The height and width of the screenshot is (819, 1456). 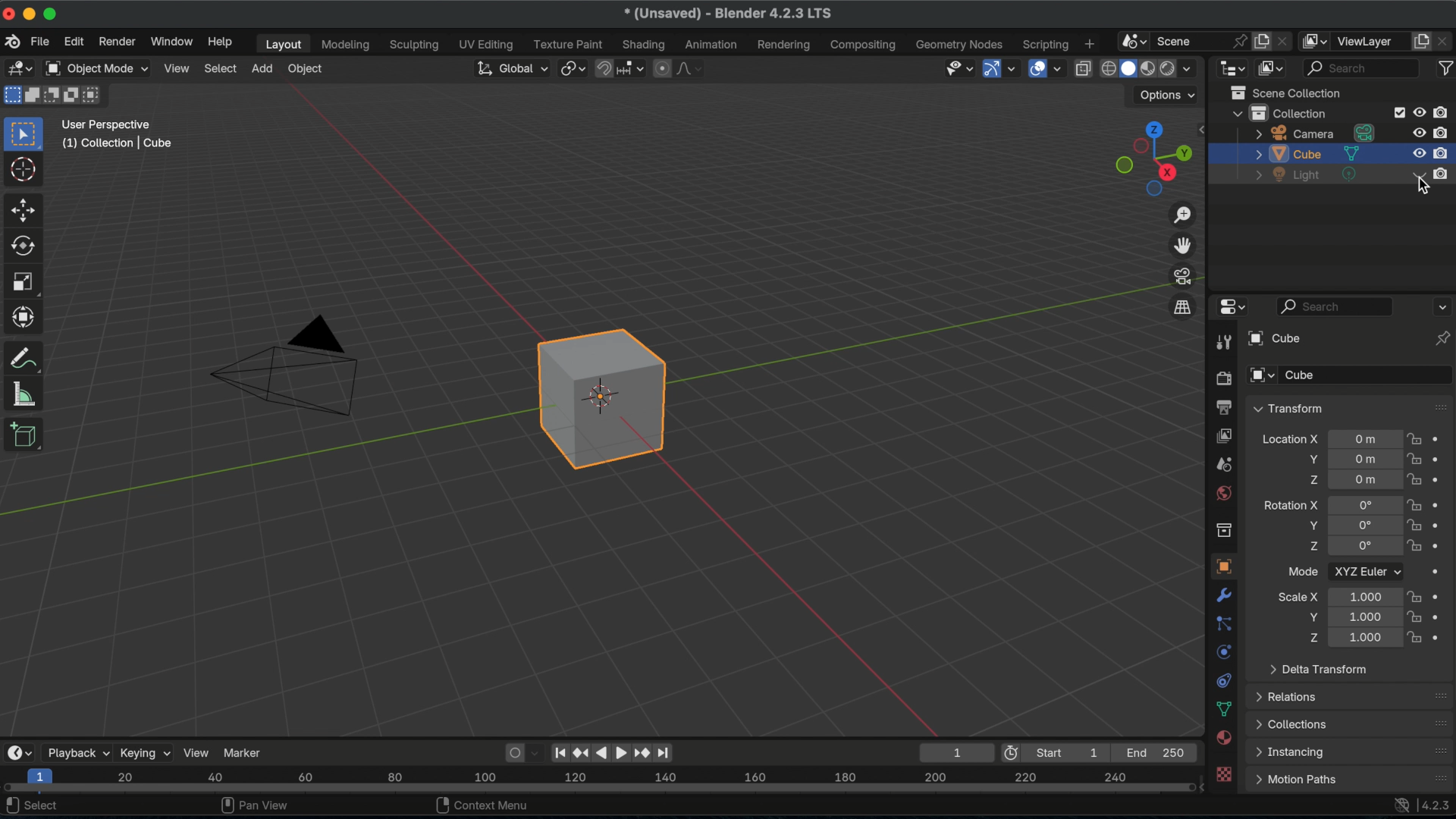 I want to click on select box, so click(x=21, y=130).